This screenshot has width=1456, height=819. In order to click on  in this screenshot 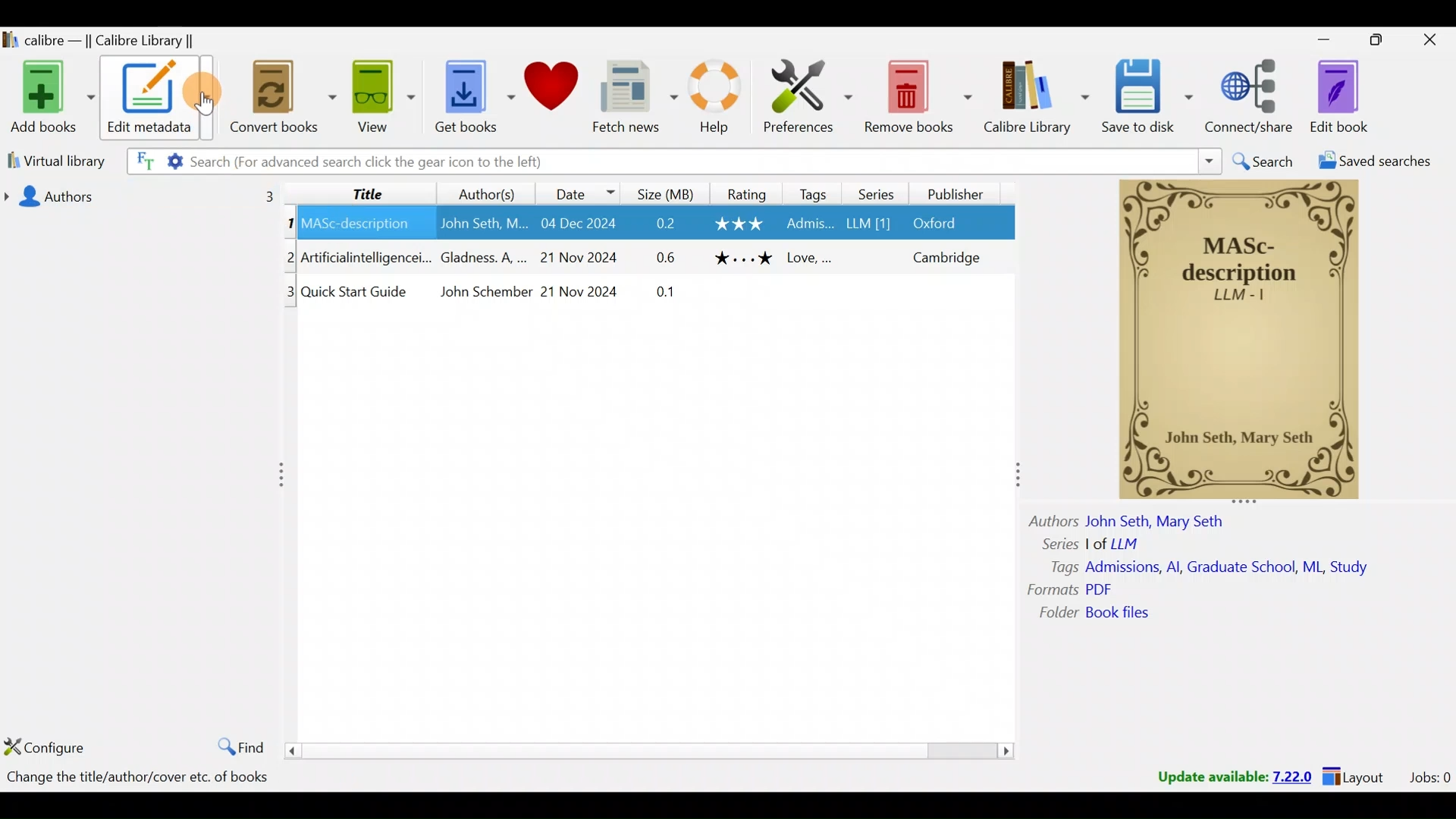, I will do `click(1240, 342)`.